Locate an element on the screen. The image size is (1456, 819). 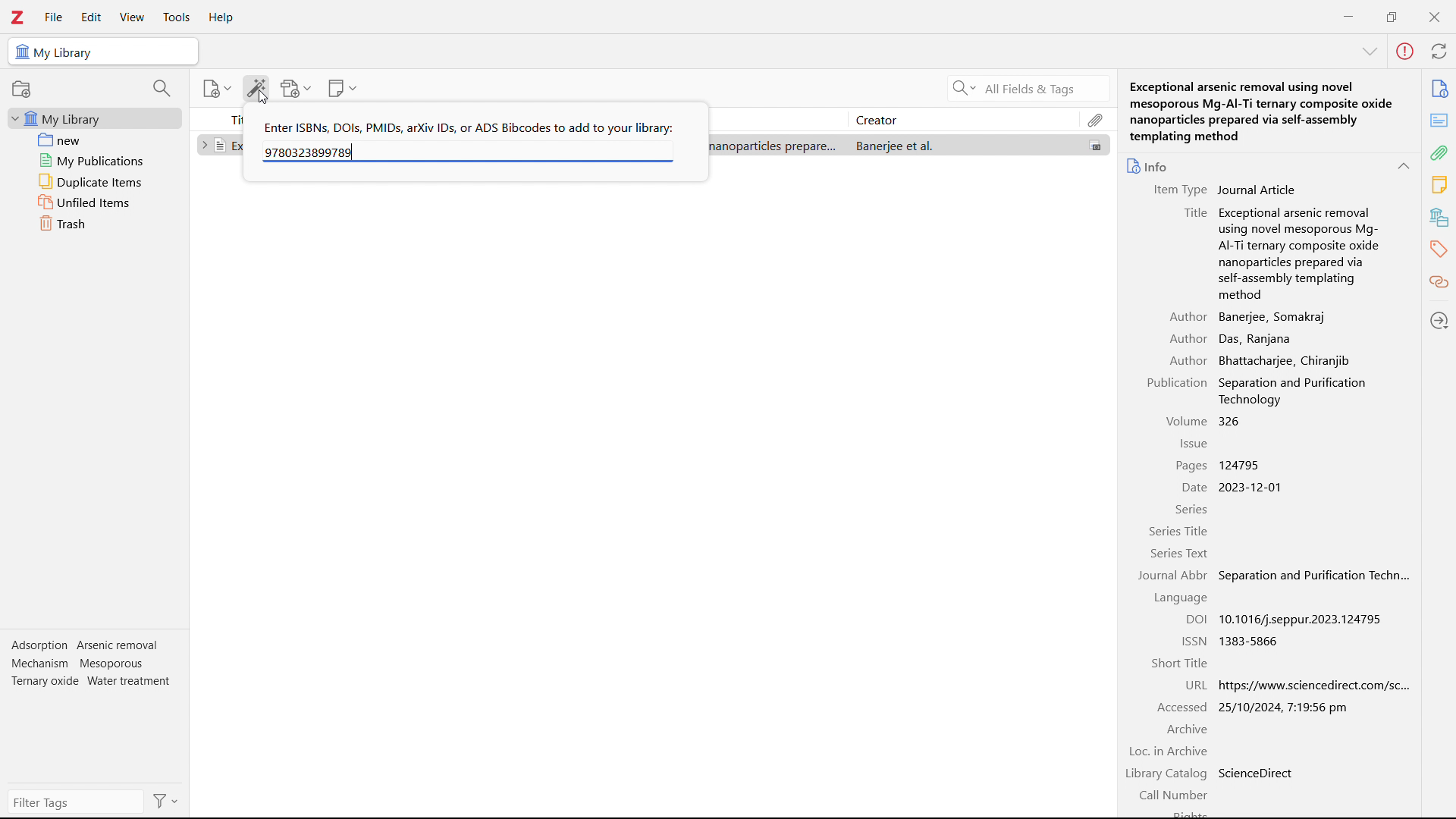
sync with zotero.org is located at coordinates (1439, 50).